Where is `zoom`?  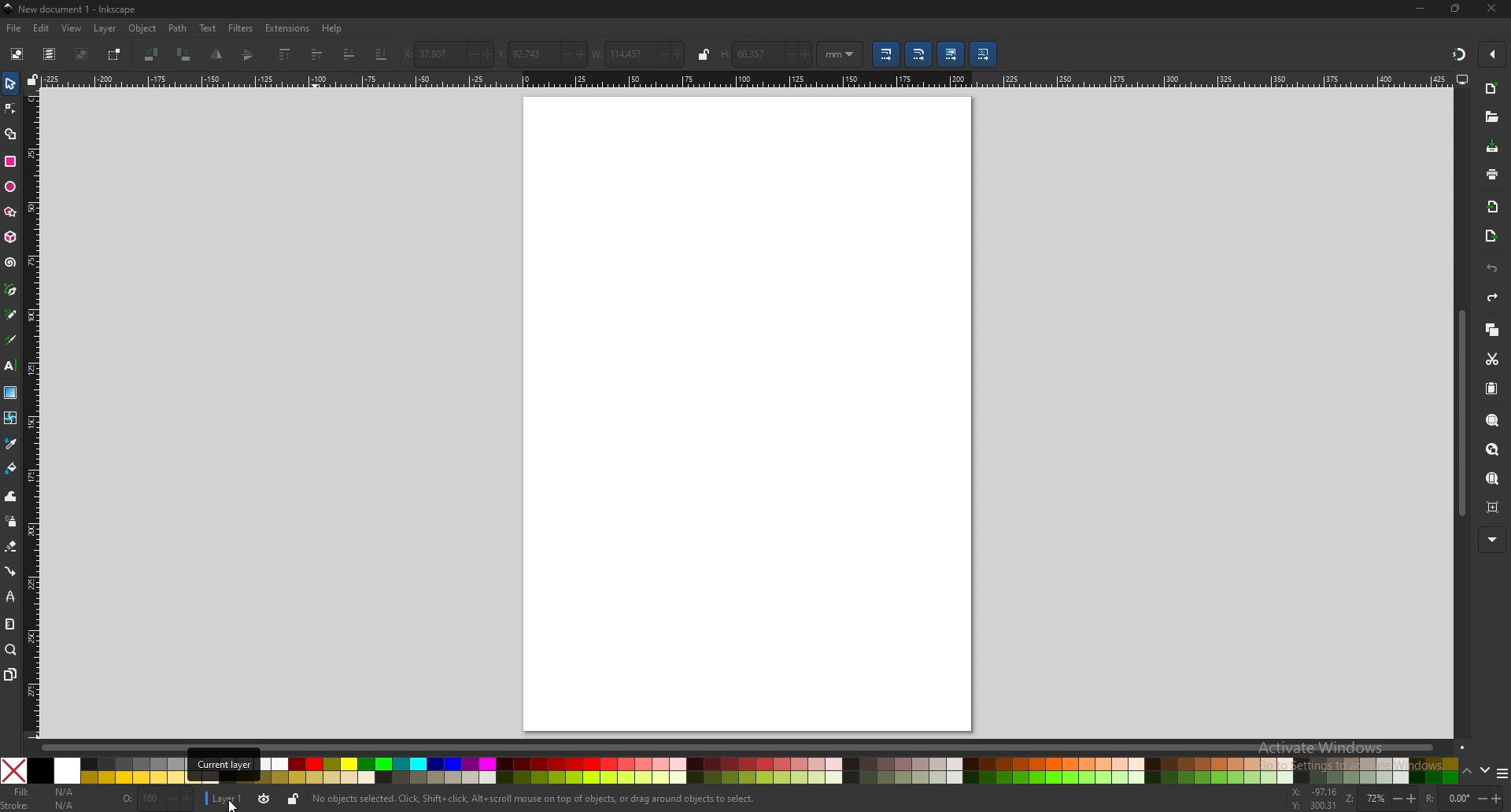
zoom is located at coordinates (11, 650).